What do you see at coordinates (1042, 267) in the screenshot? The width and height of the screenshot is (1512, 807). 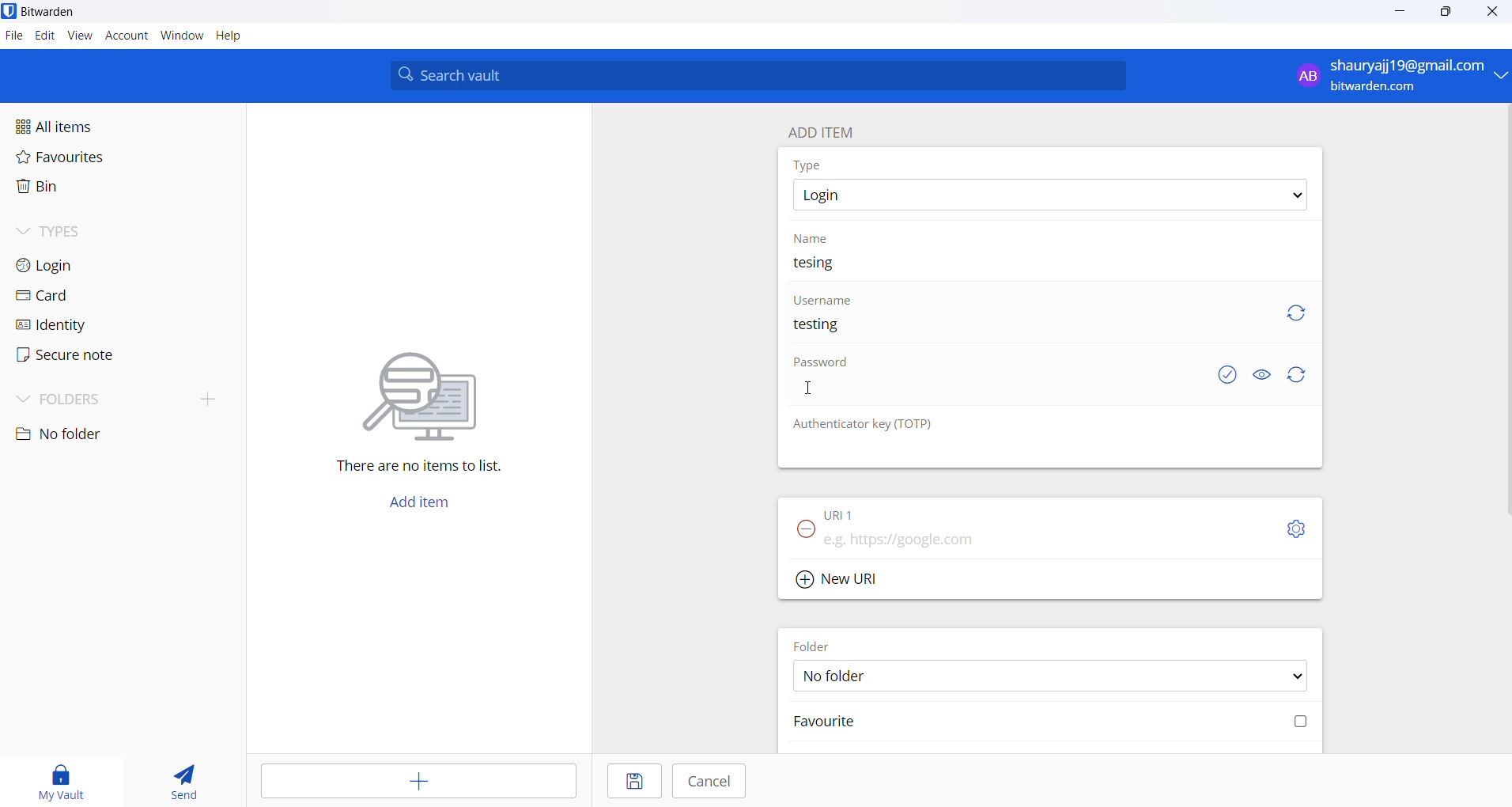 I see `Name text box` at bounding box center [1042, 267].